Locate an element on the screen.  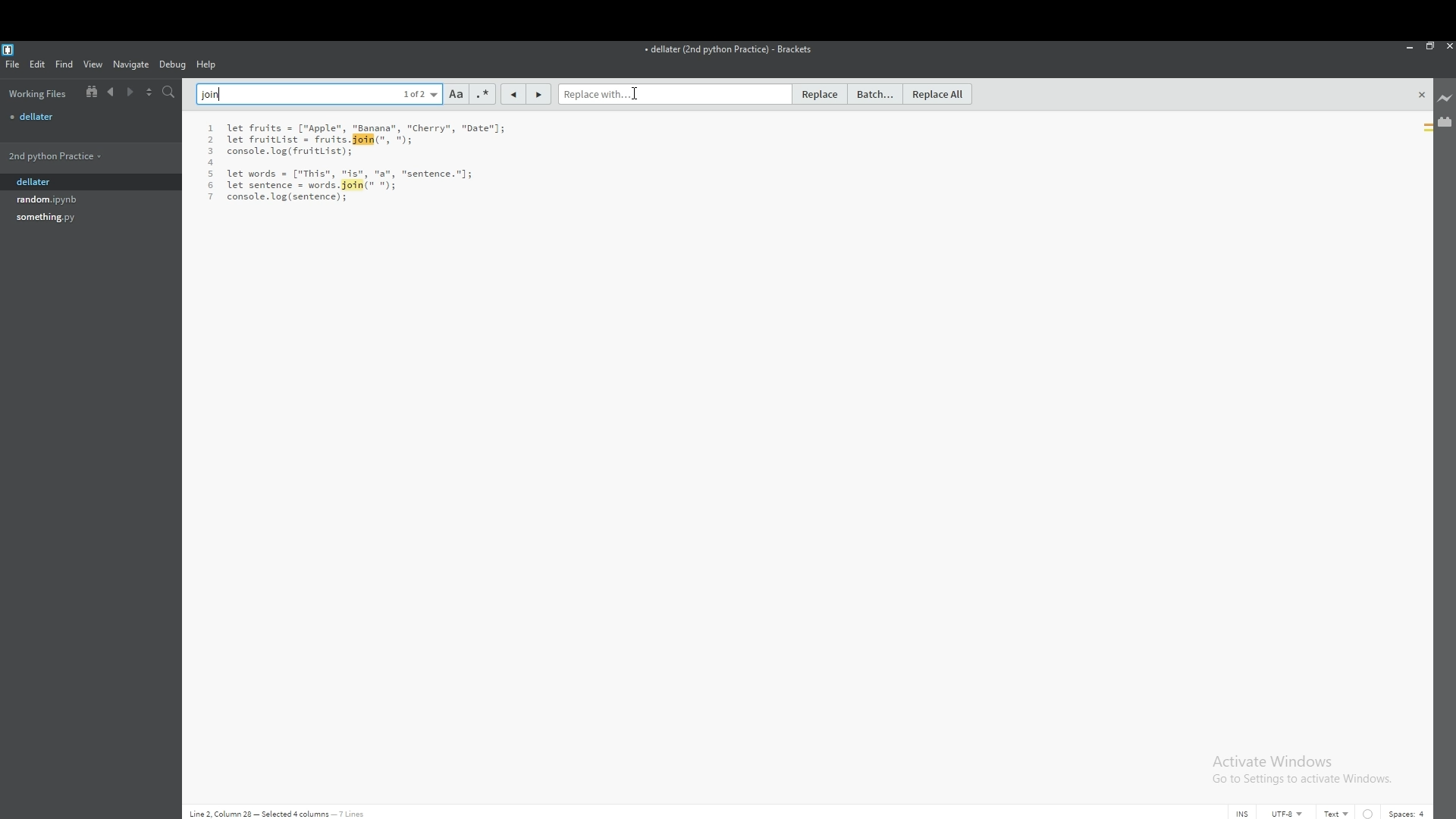
minimize is located at coordinates (1410, 46).